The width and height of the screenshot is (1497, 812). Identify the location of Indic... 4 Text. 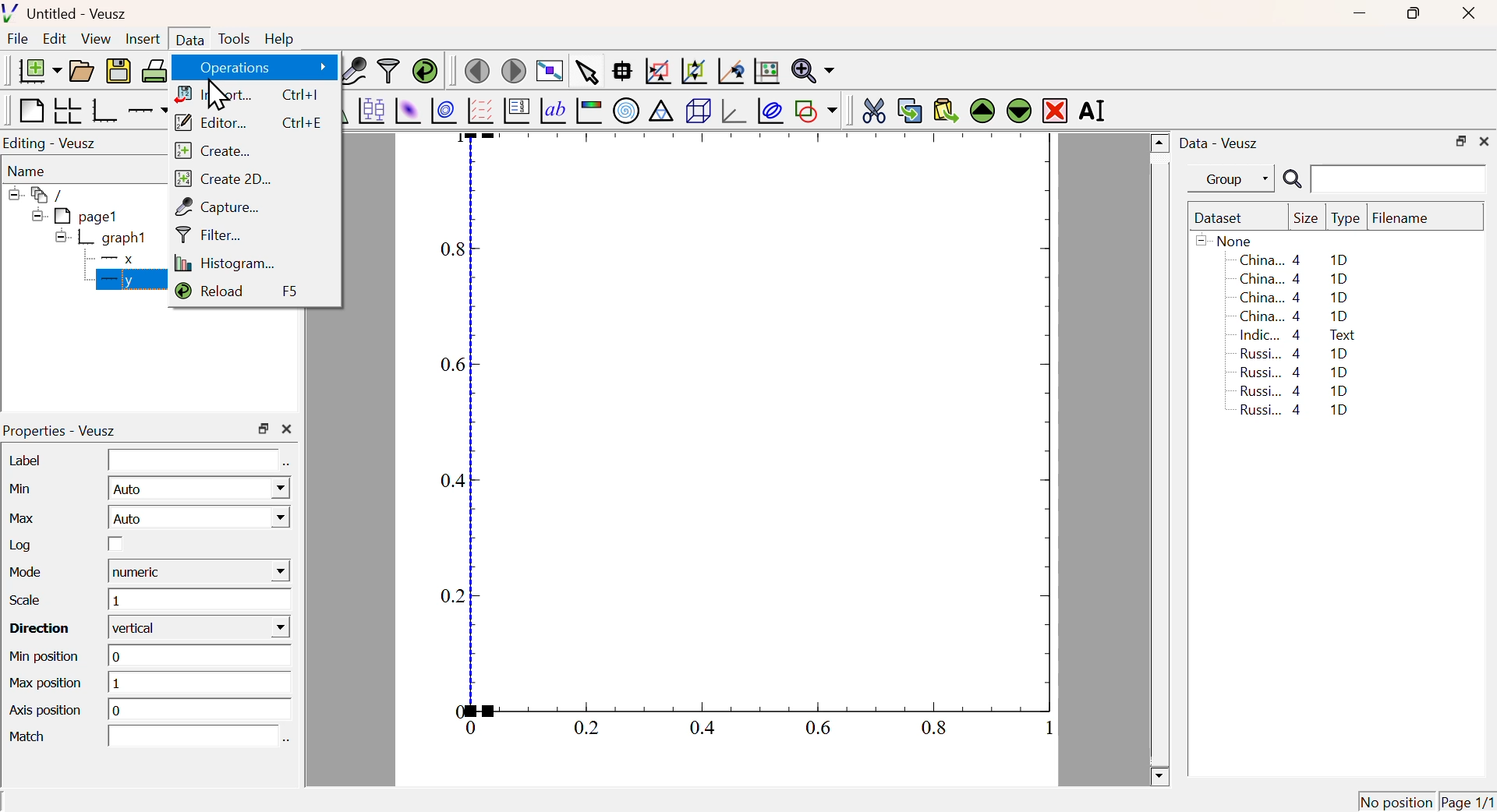
(1297, 335).